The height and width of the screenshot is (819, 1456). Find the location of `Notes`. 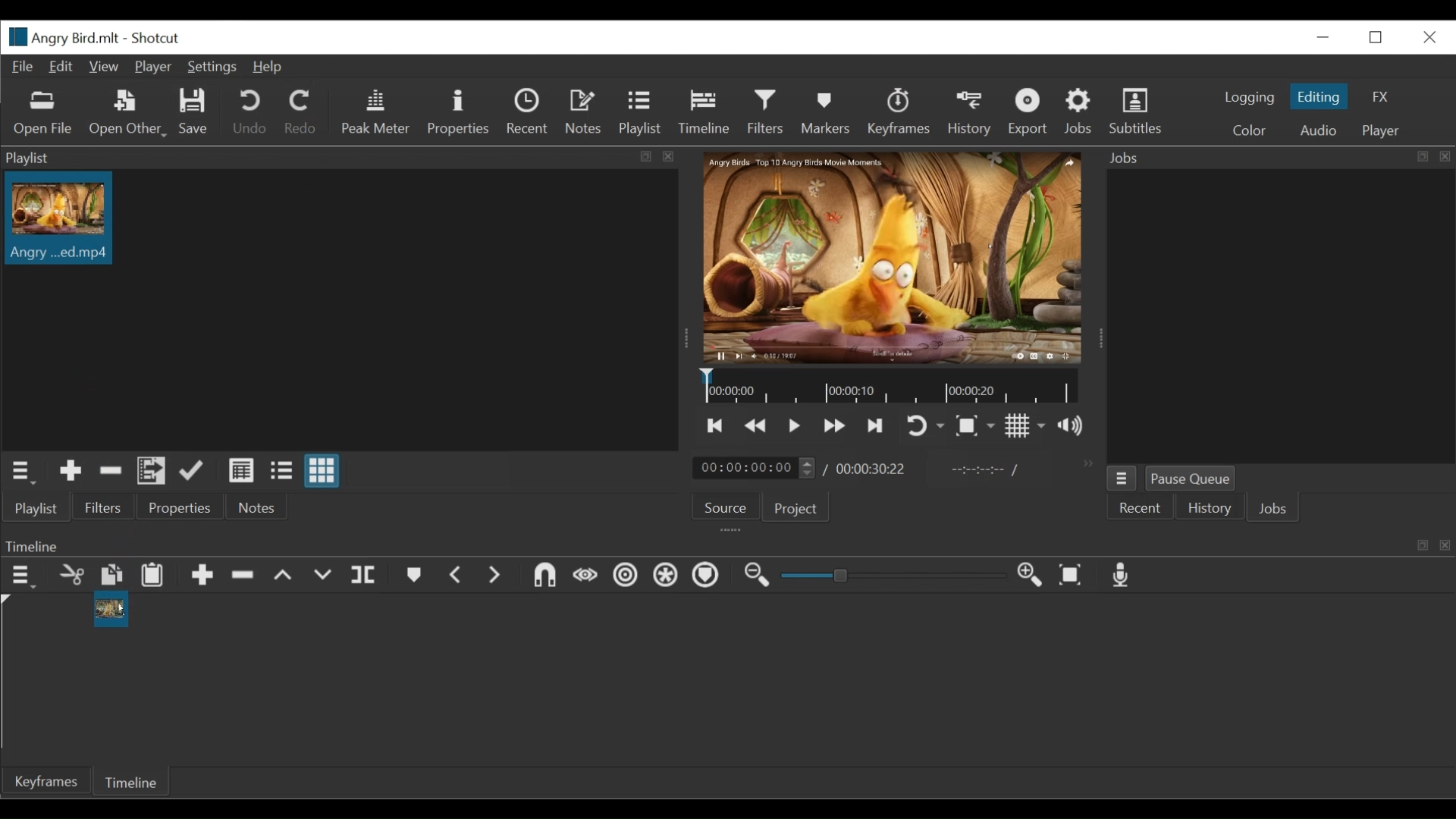

Notes is located at coordinates (252, 507).